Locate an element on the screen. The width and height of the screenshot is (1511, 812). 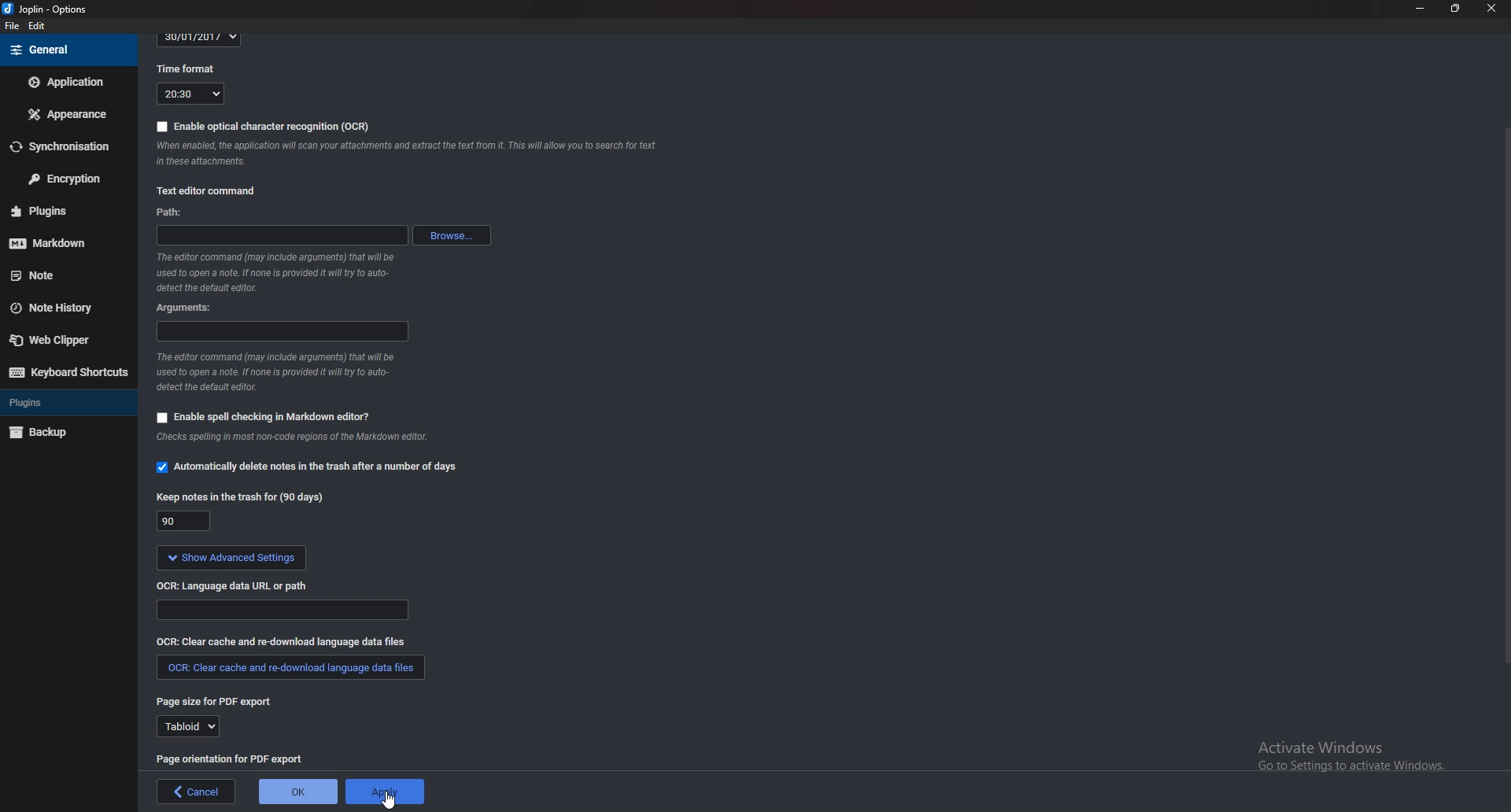
joplin is located at coordinates (48, 9).